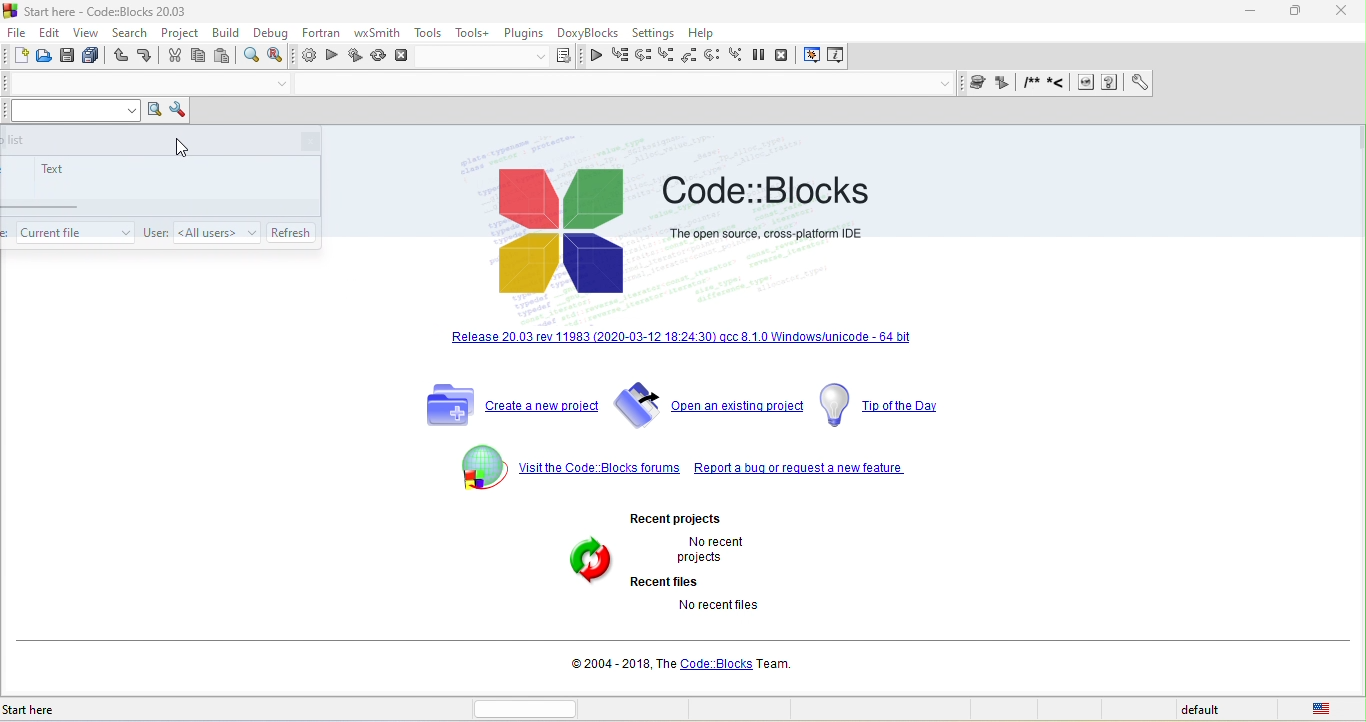 This screenshot has height=722, width=1366. Describe the element at coordinates (534, 708) in the screenshot. I see `horizontal scroll bar` at that location.